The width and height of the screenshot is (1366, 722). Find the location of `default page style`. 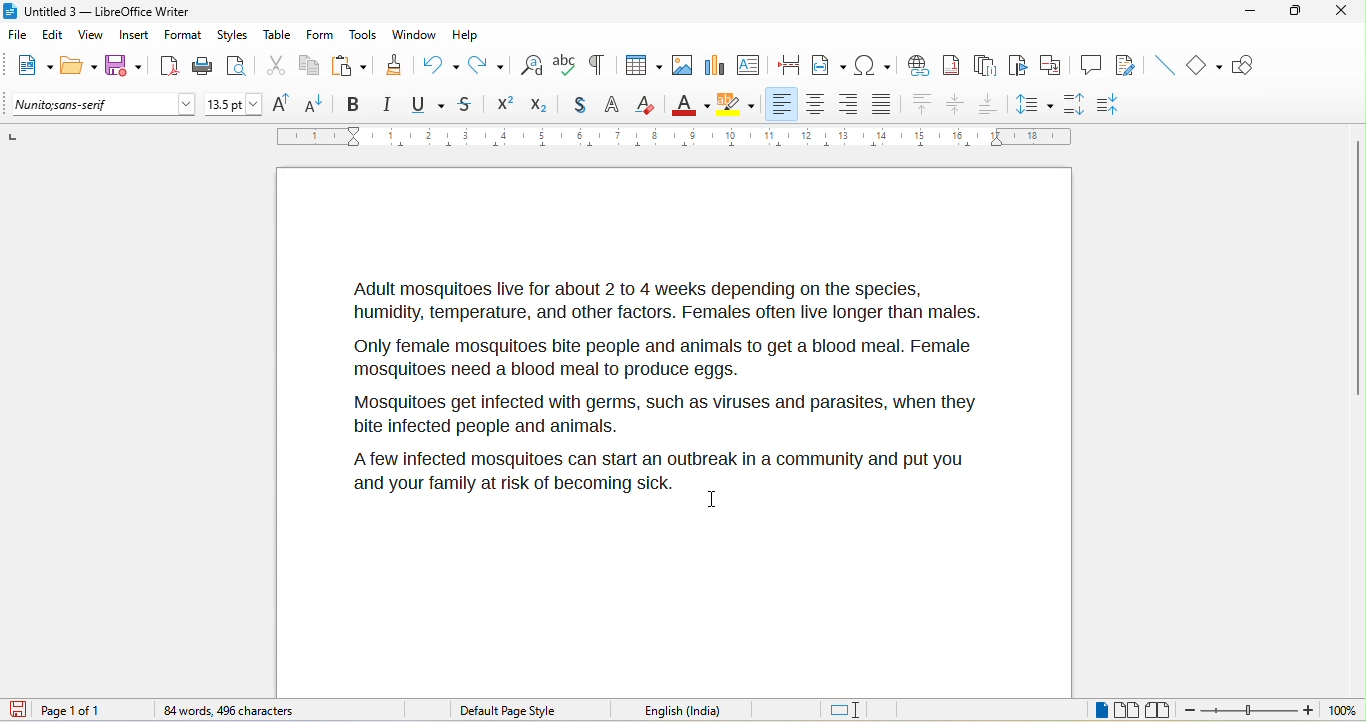

default page style is located at coordinates (511, 711).